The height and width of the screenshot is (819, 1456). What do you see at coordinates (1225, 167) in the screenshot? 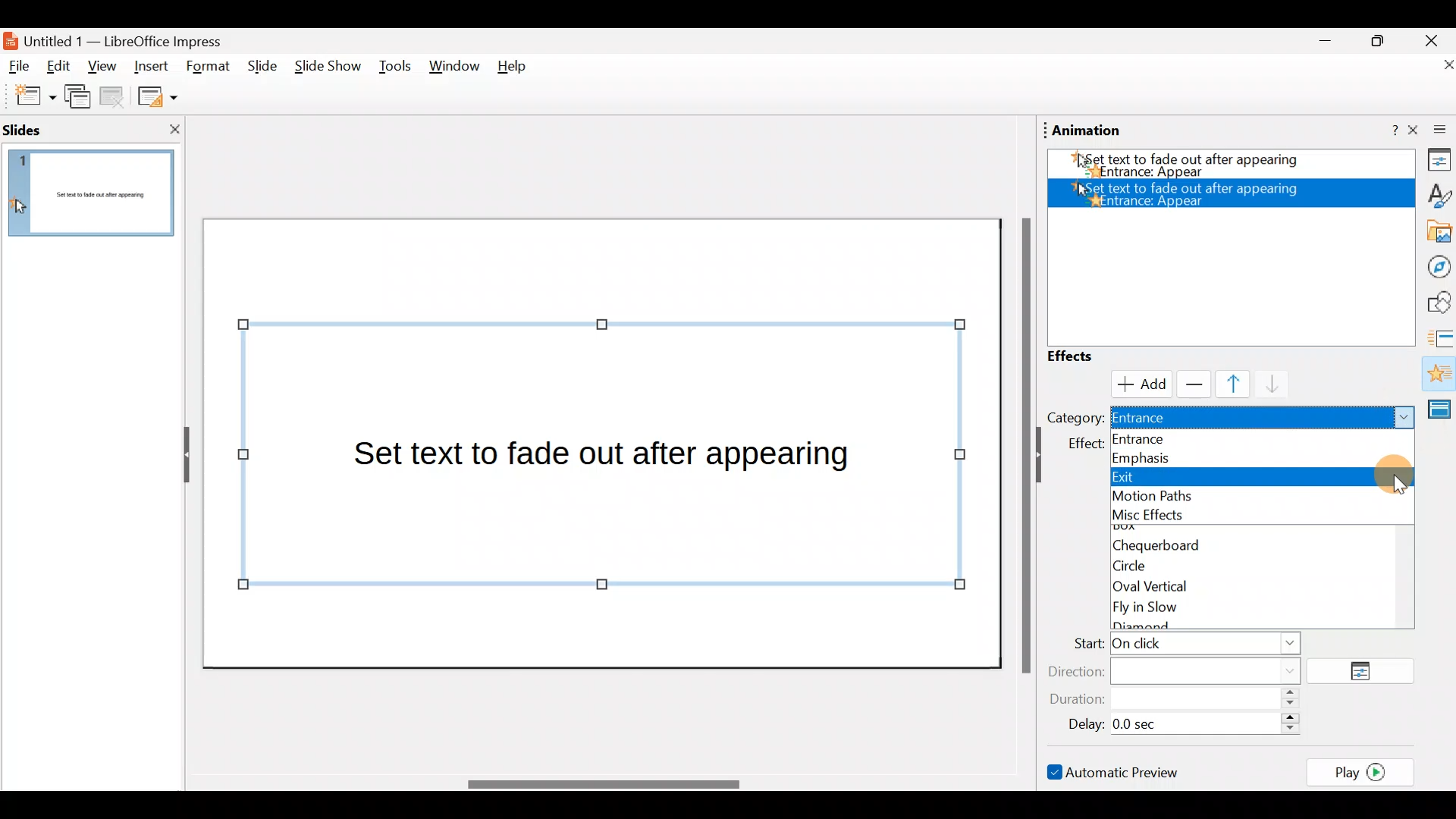
I see `Appear effect added` at bounding box center [1225, 167].